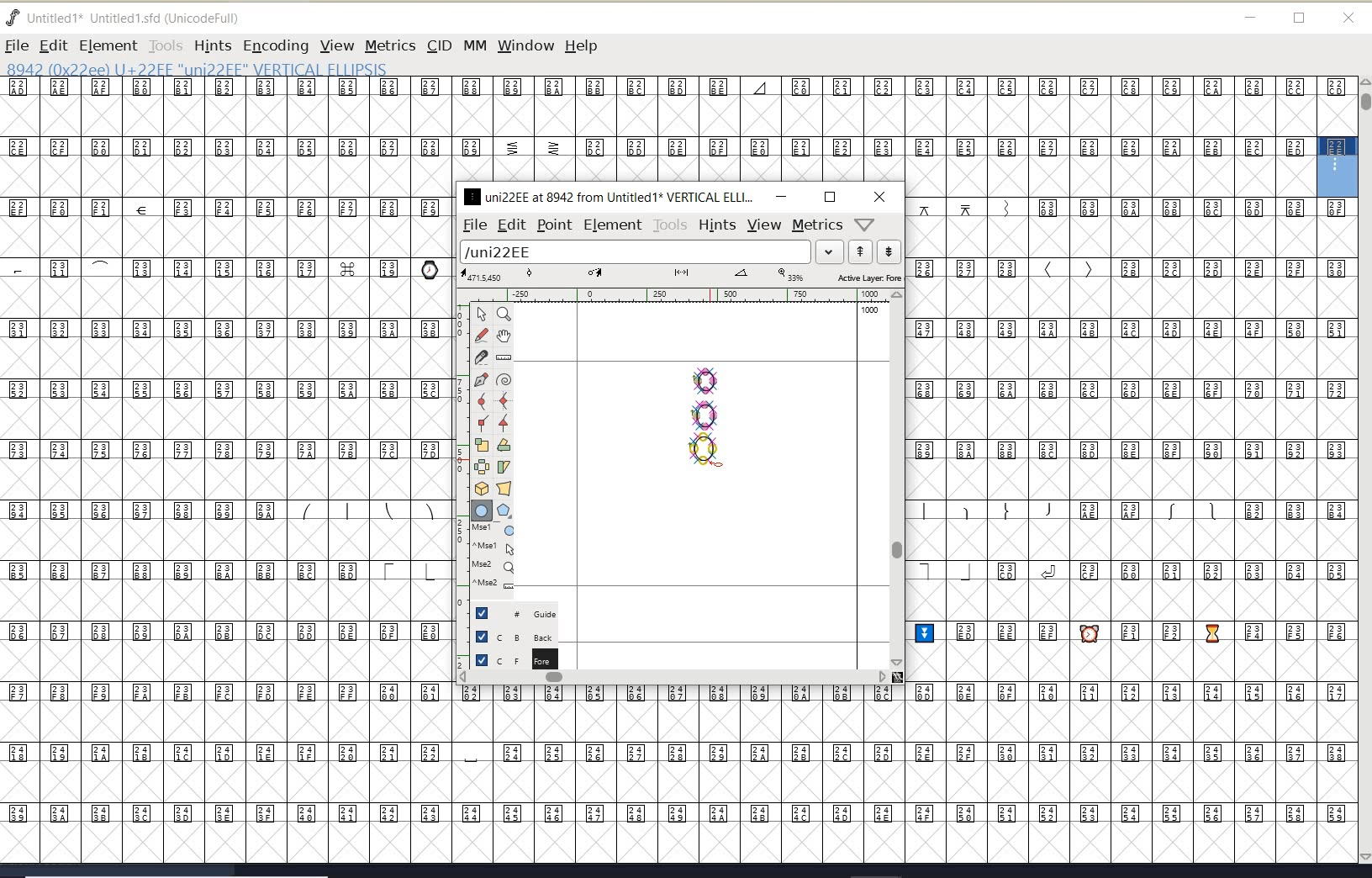  What do you see at coordinates (865, 223) in the screenshot?
I see `help/window` at bounding box center [865, 223].